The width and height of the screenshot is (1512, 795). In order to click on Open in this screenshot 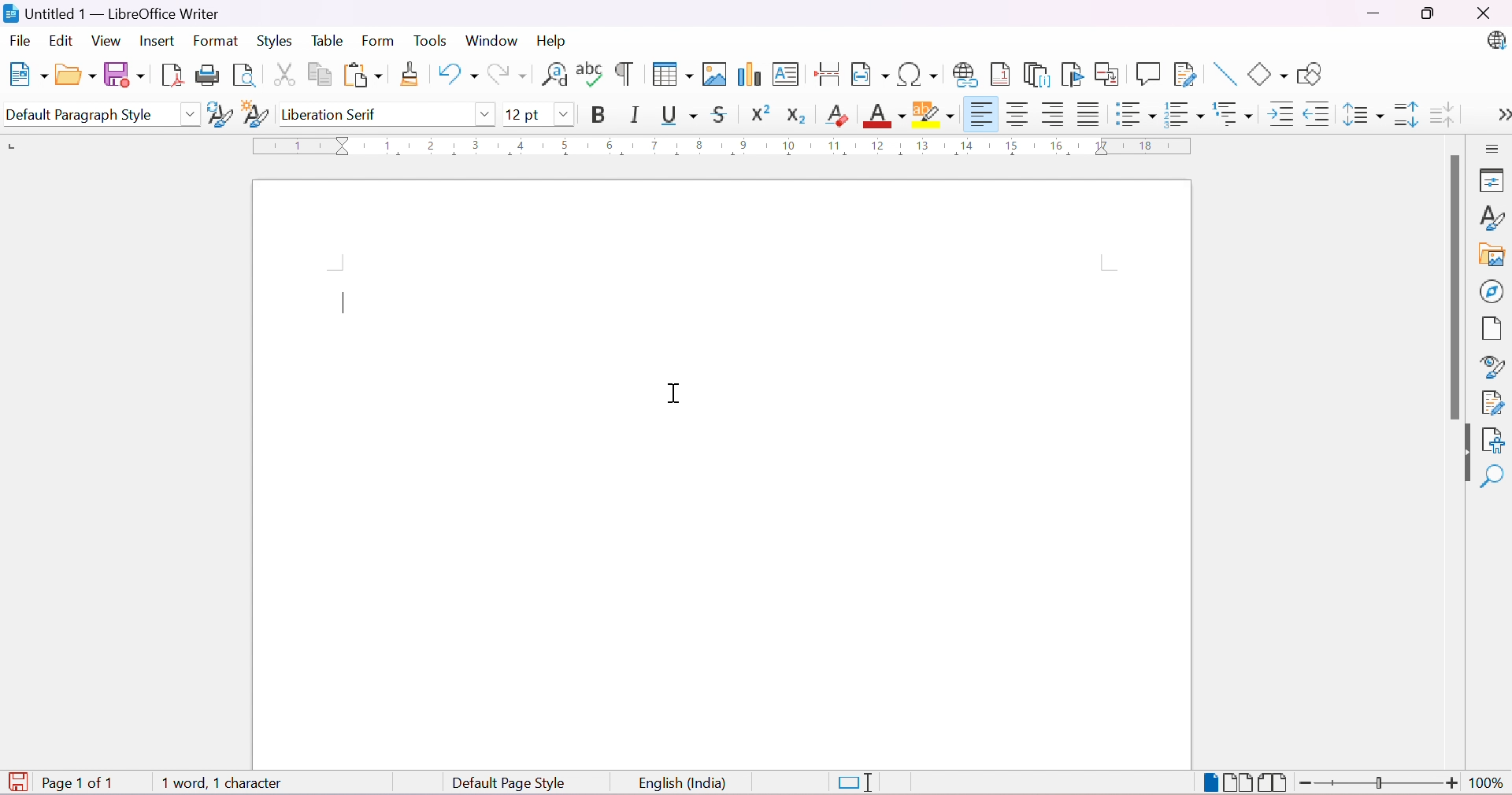, I will do `click(75, 76)`.